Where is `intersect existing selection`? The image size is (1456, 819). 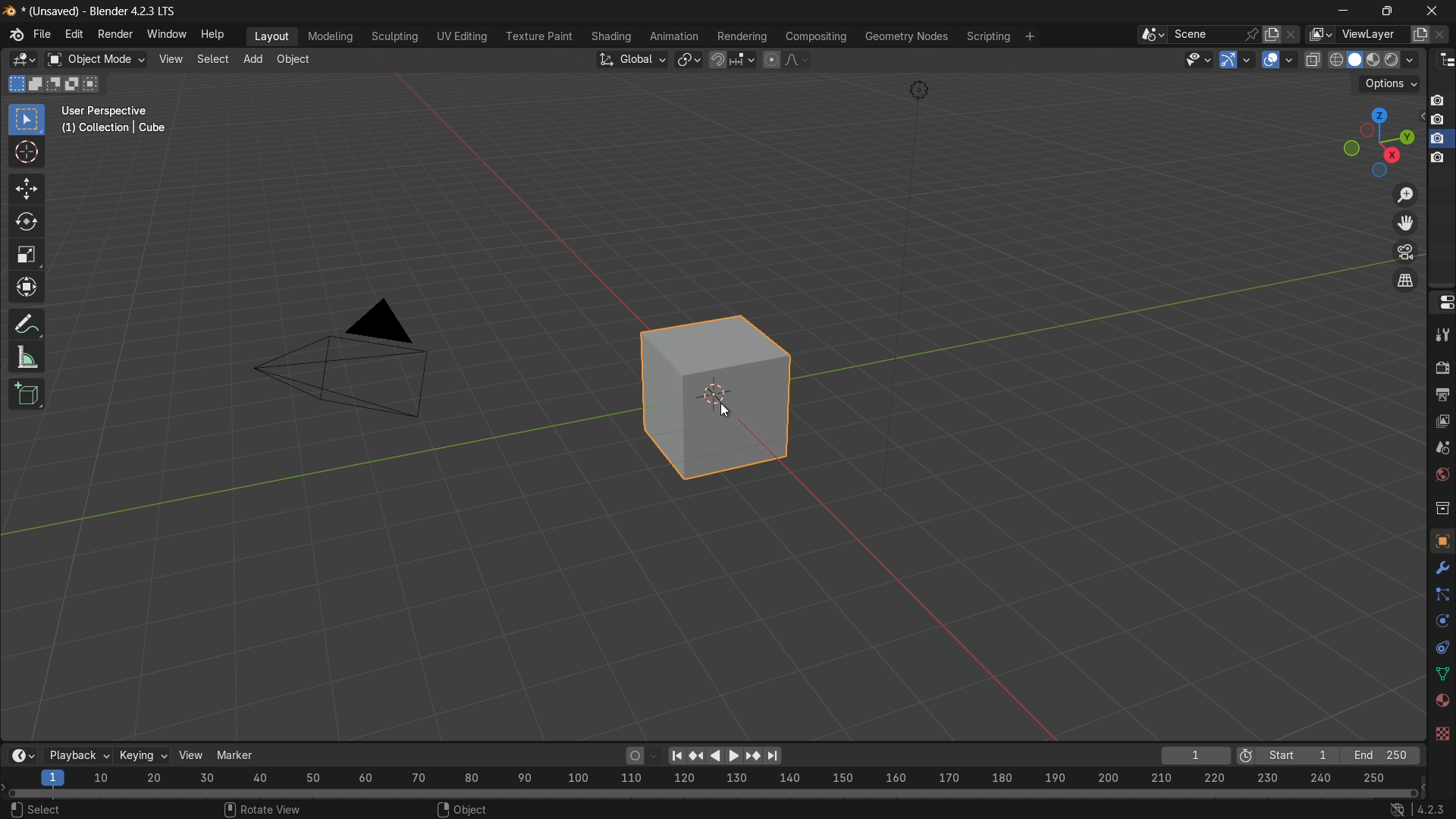
intersect existing selection is located at coordinates (94, 86).